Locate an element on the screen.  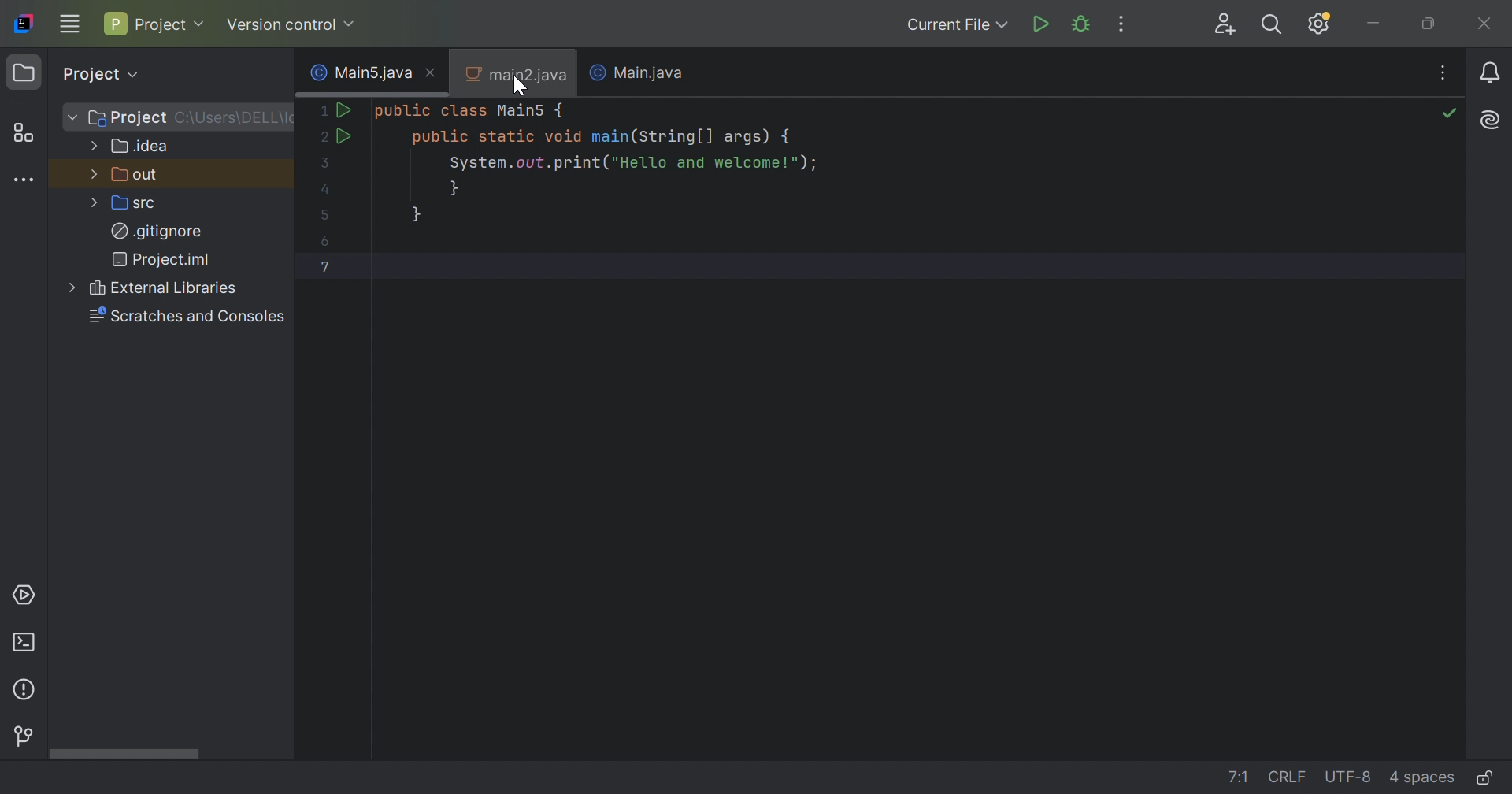
src is located at coordinates (136, 206).